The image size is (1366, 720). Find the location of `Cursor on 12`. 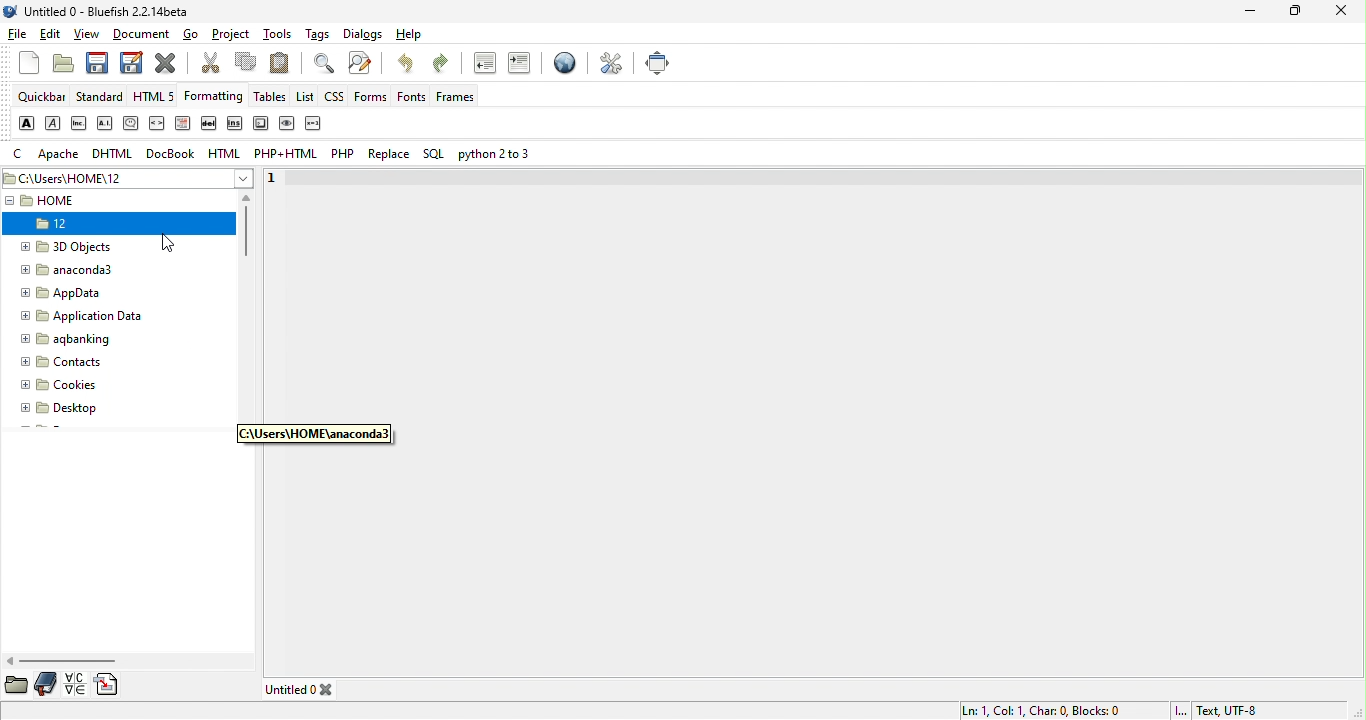

Cursor on 12 is located at coordinates (172, 244).